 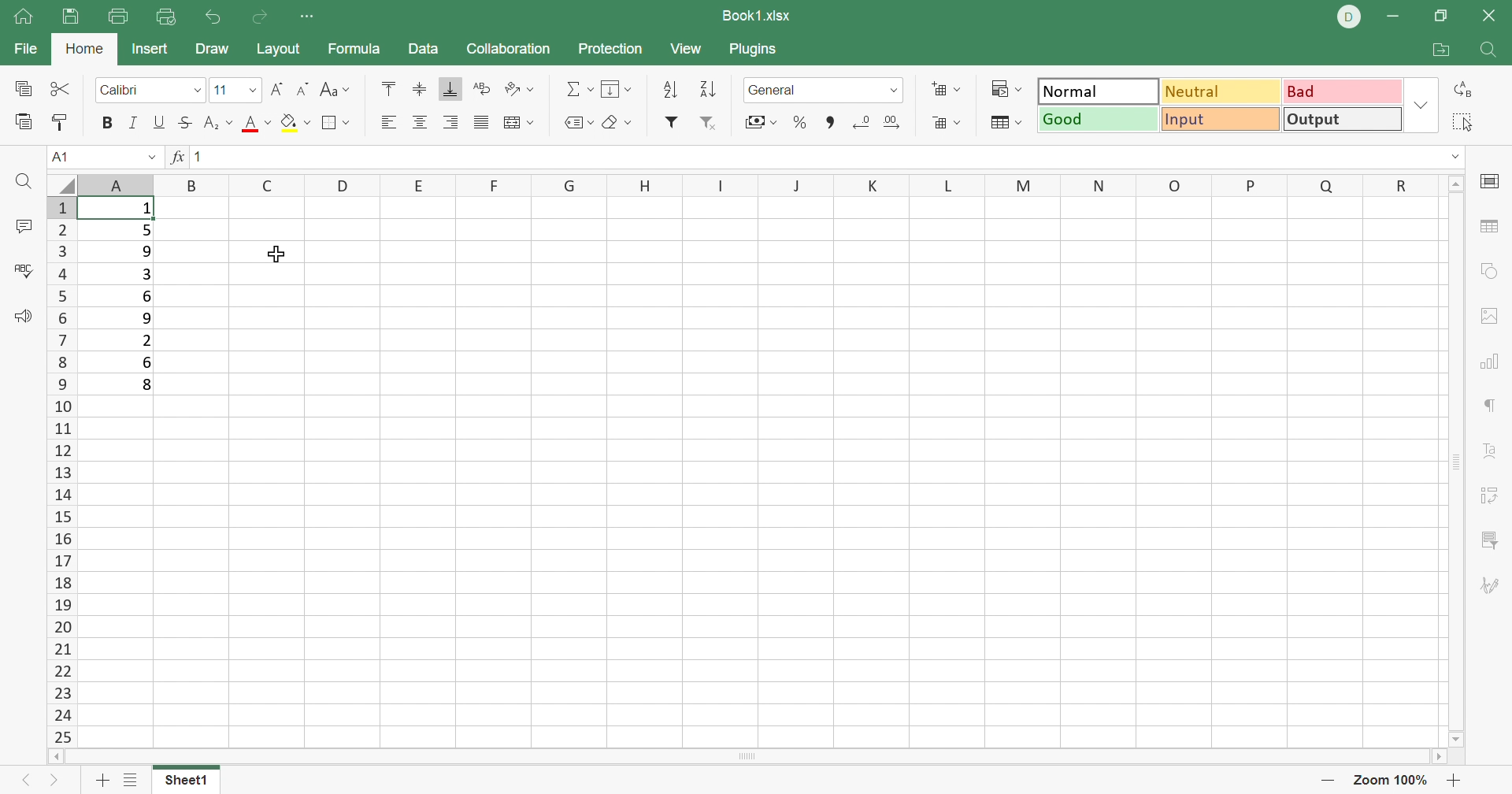 What do you see at coordinates (1449, 736) in the screenshot?
I see `Scroll Down` at bounding box center [1449, 736].